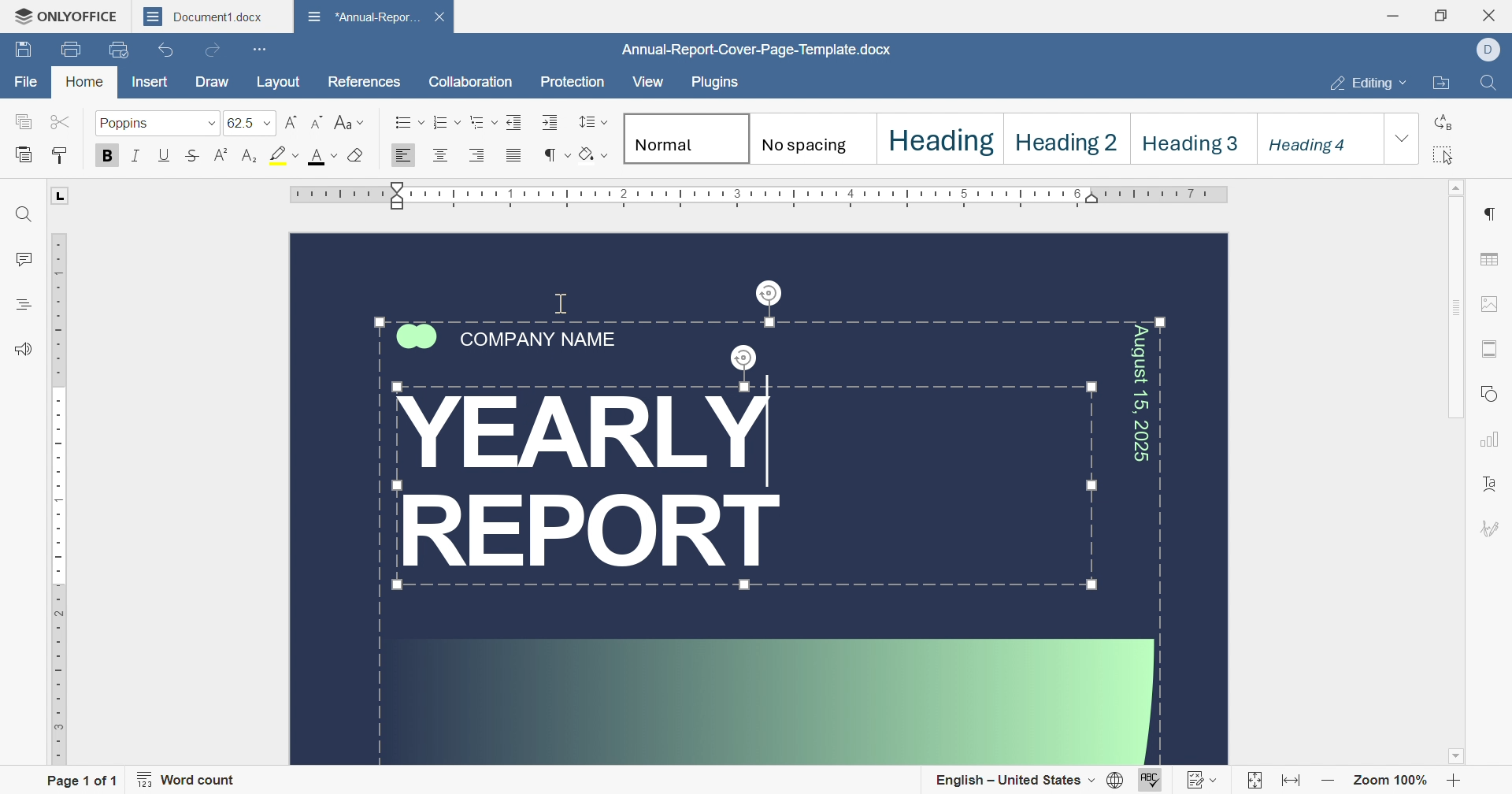  Describe the element at coordinates (350, 121) in the screenshot. I see `change case` at that location.